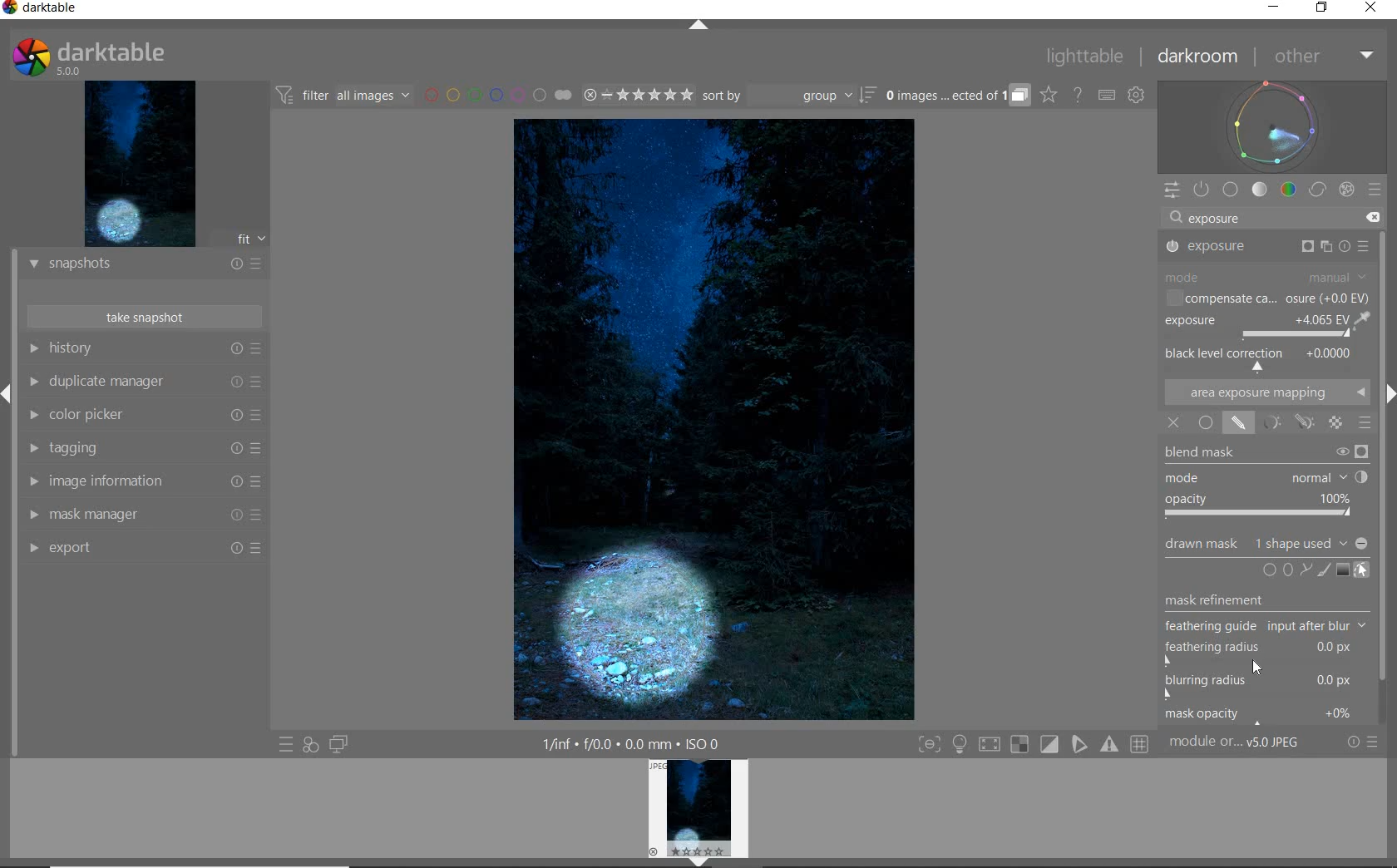  I want to click on EXPAND GROUPED IMAGES, so click(958, 94).